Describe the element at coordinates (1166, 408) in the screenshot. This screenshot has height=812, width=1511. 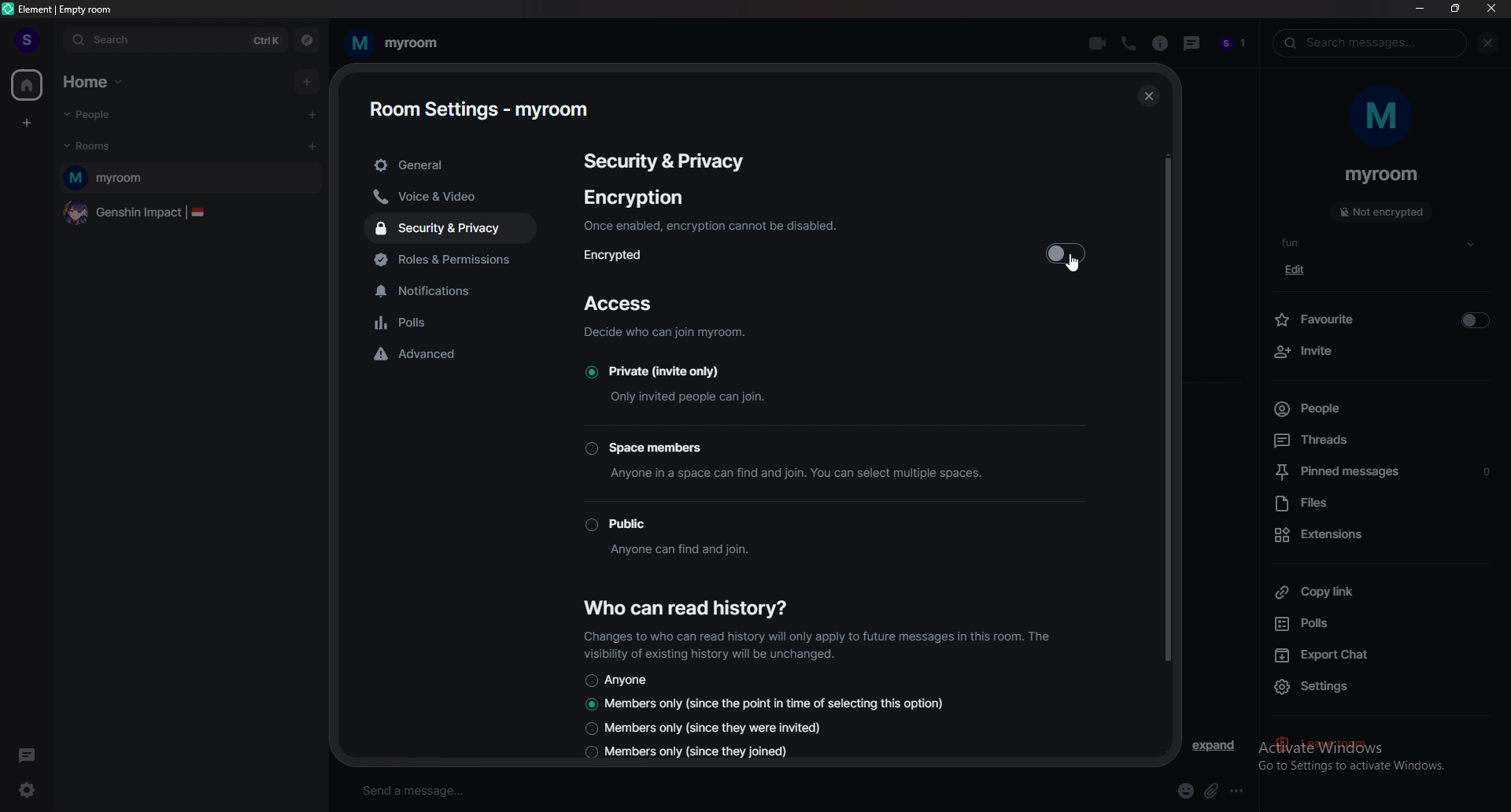
I see `vertical scroll bar` at that location.